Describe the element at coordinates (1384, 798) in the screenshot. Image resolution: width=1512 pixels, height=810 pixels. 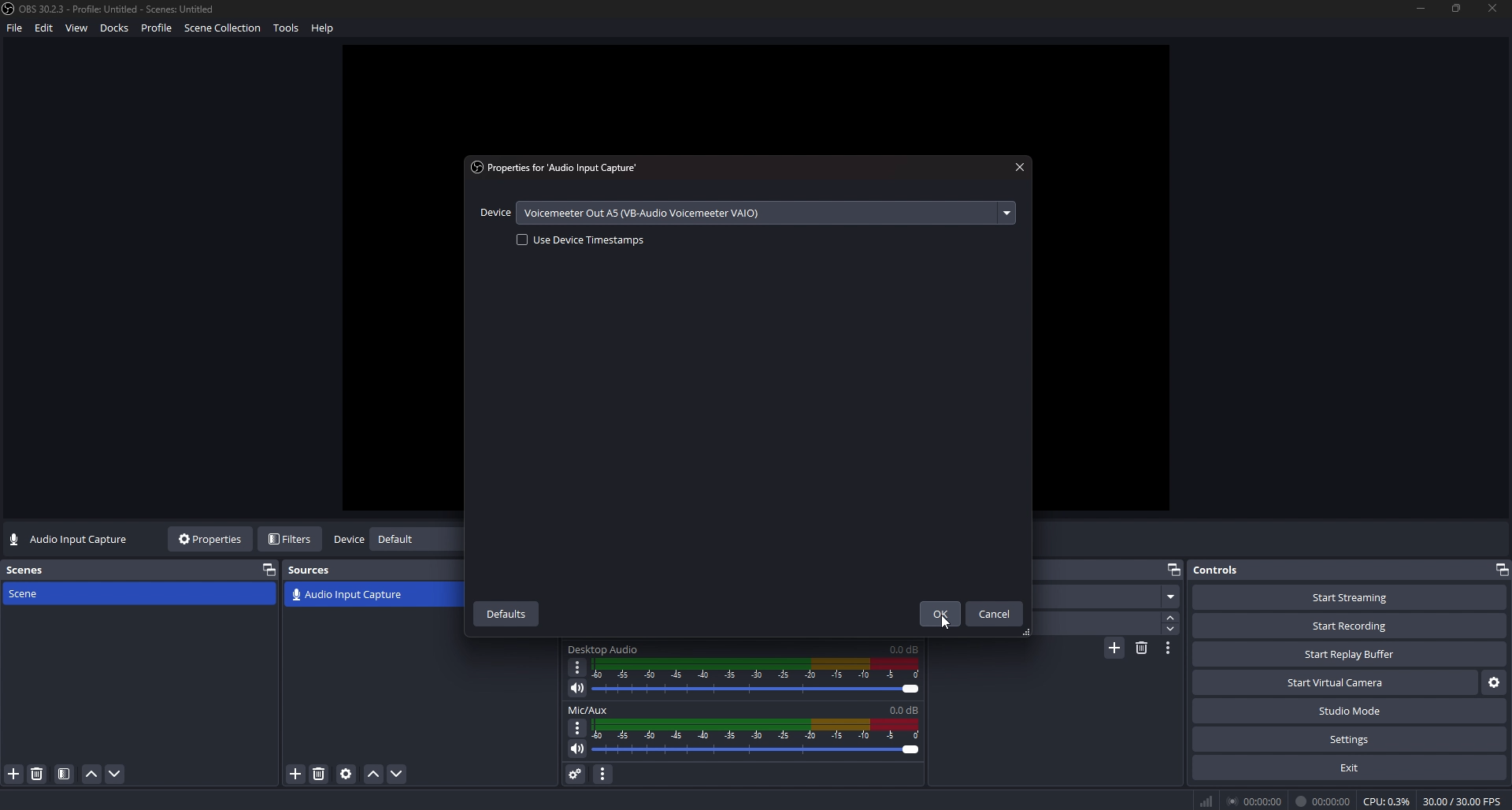
I see `0 CPU: 0.69` at that location.